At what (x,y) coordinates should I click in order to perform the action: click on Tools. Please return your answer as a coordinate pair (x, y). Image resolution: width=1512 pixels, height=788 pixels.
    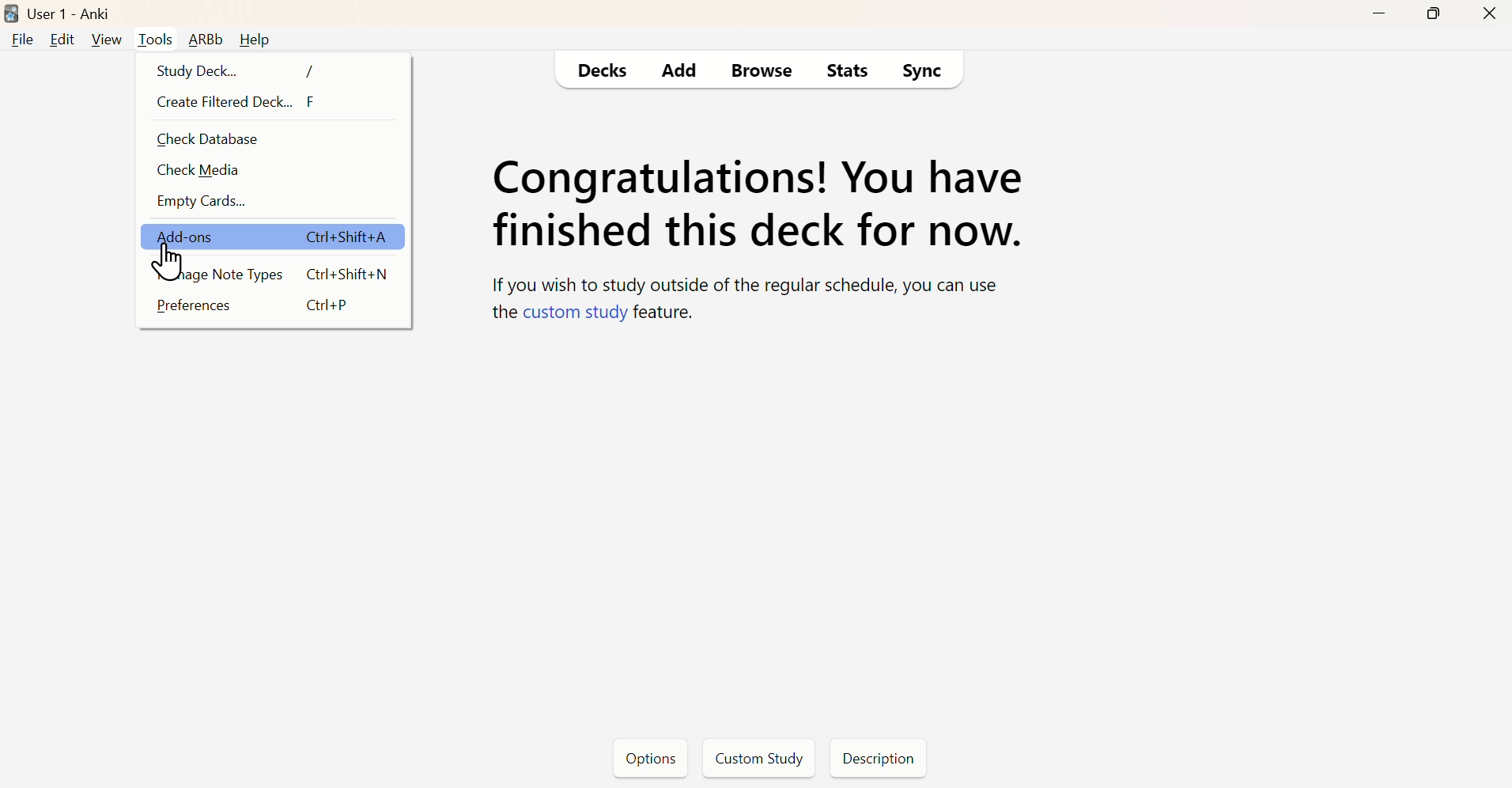
    Looking at the image, I should click on (157, 40).